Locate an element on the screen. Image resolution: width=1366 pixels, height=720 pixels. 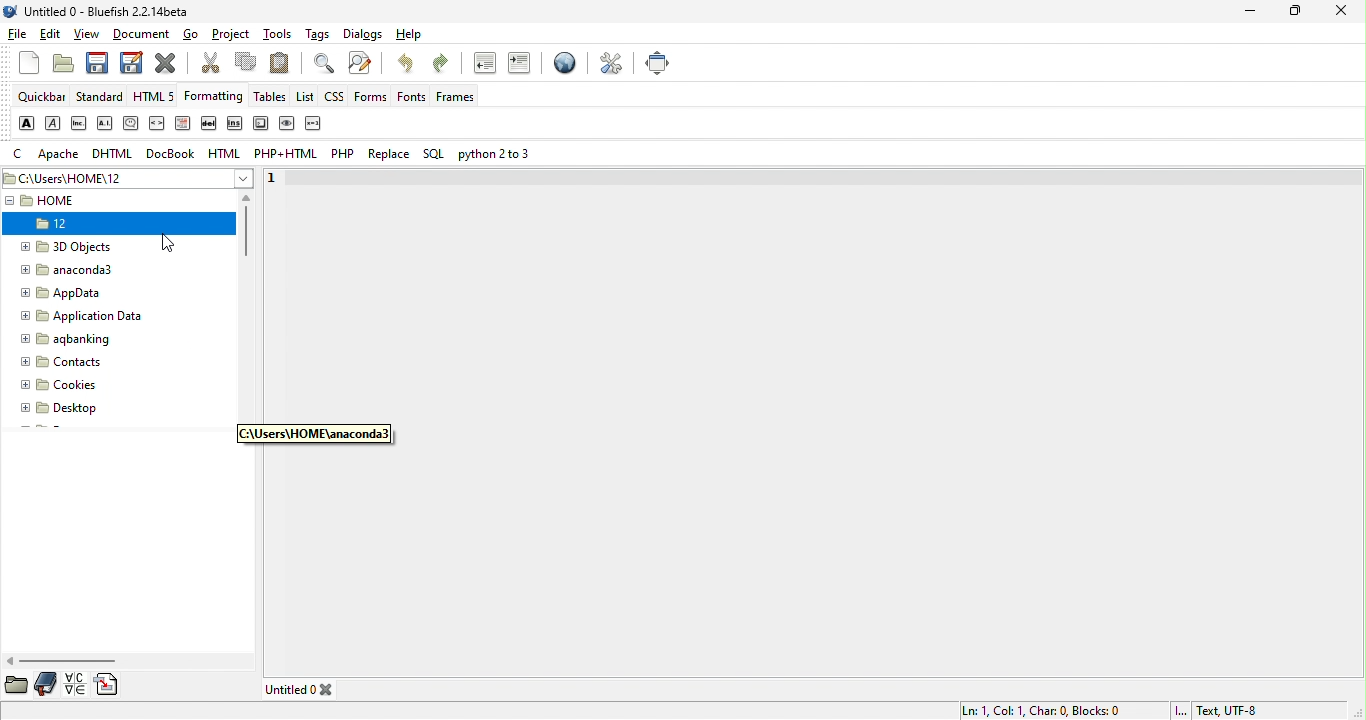
minimize is located at coordinates (1254, 14).